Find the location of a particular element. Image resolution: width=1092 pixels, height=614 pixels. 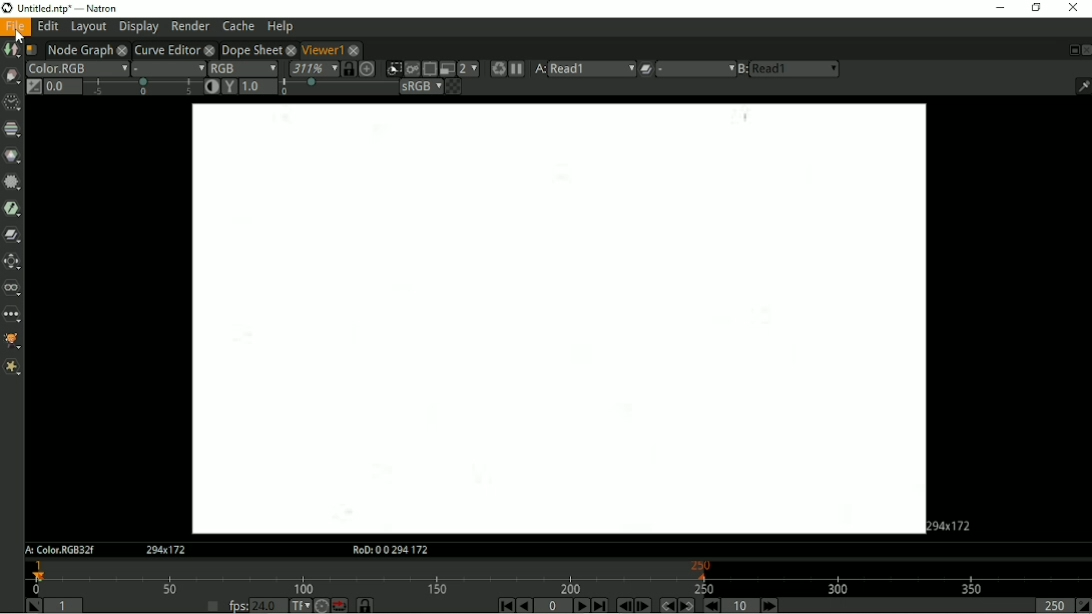

A is located at coordinates (59, 550).